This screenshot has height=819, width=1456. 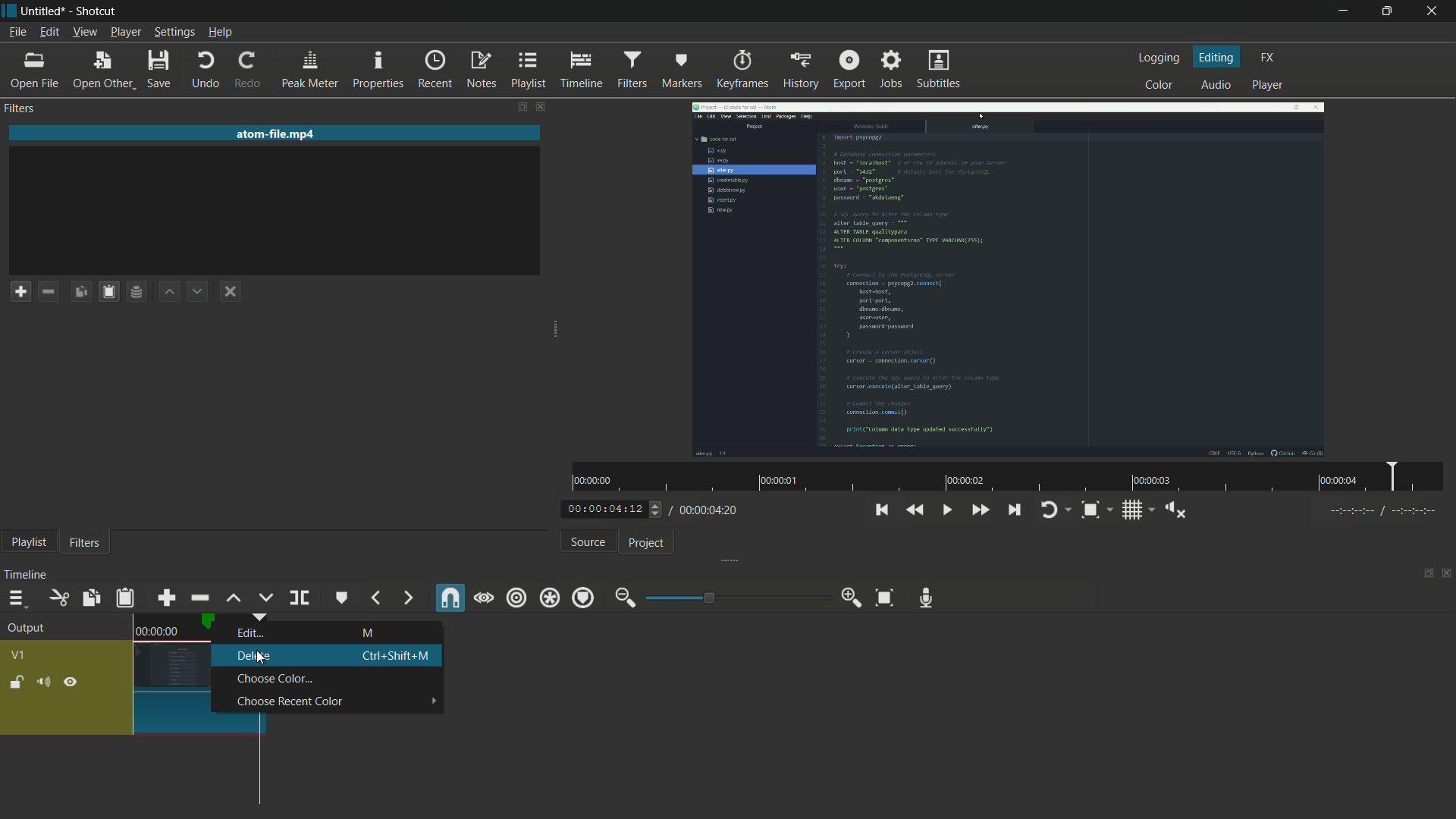 I want to click on file menu, so click(x=18, y=33).